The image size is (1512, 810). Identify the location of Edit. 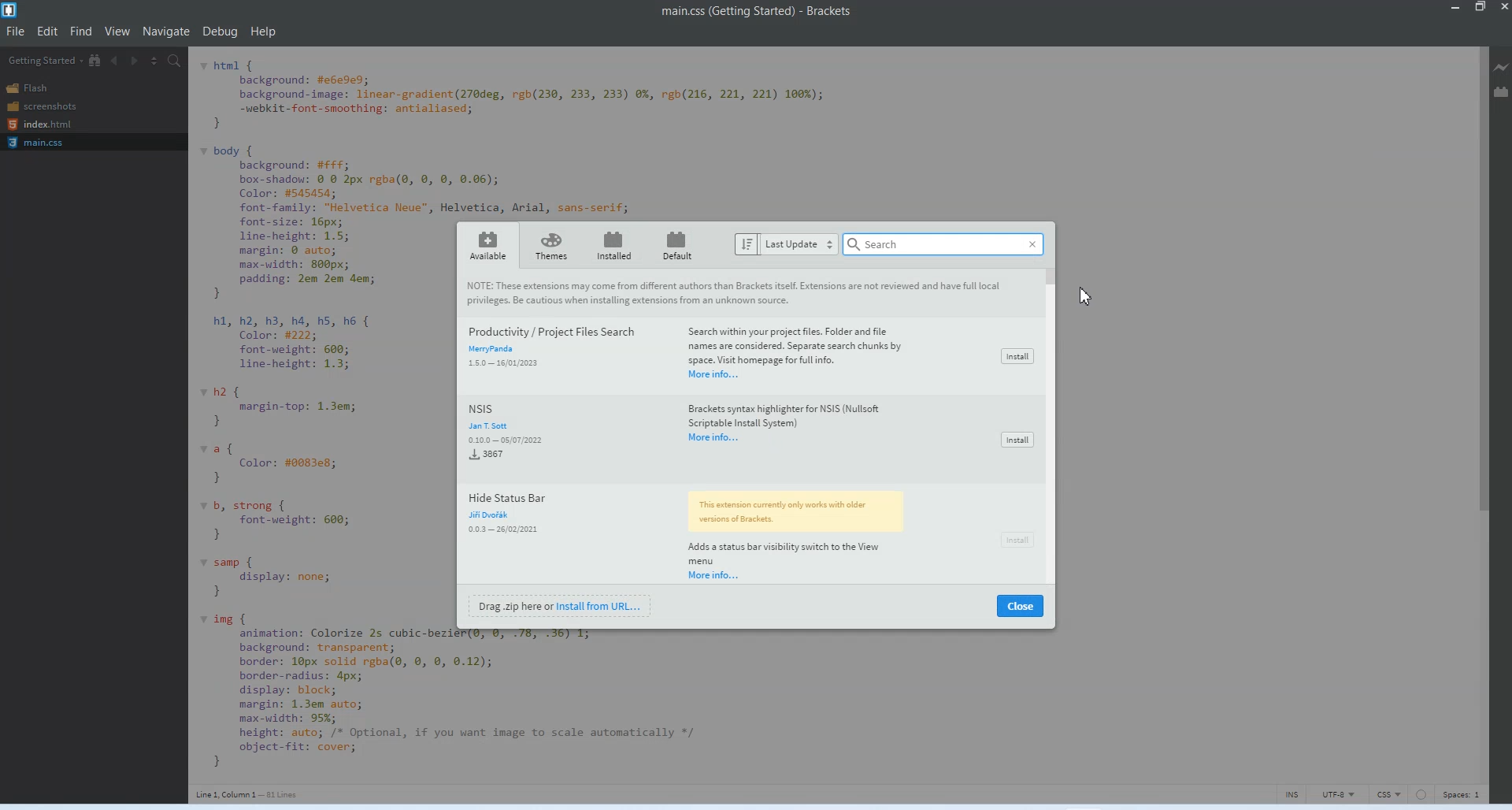
(49, 31).